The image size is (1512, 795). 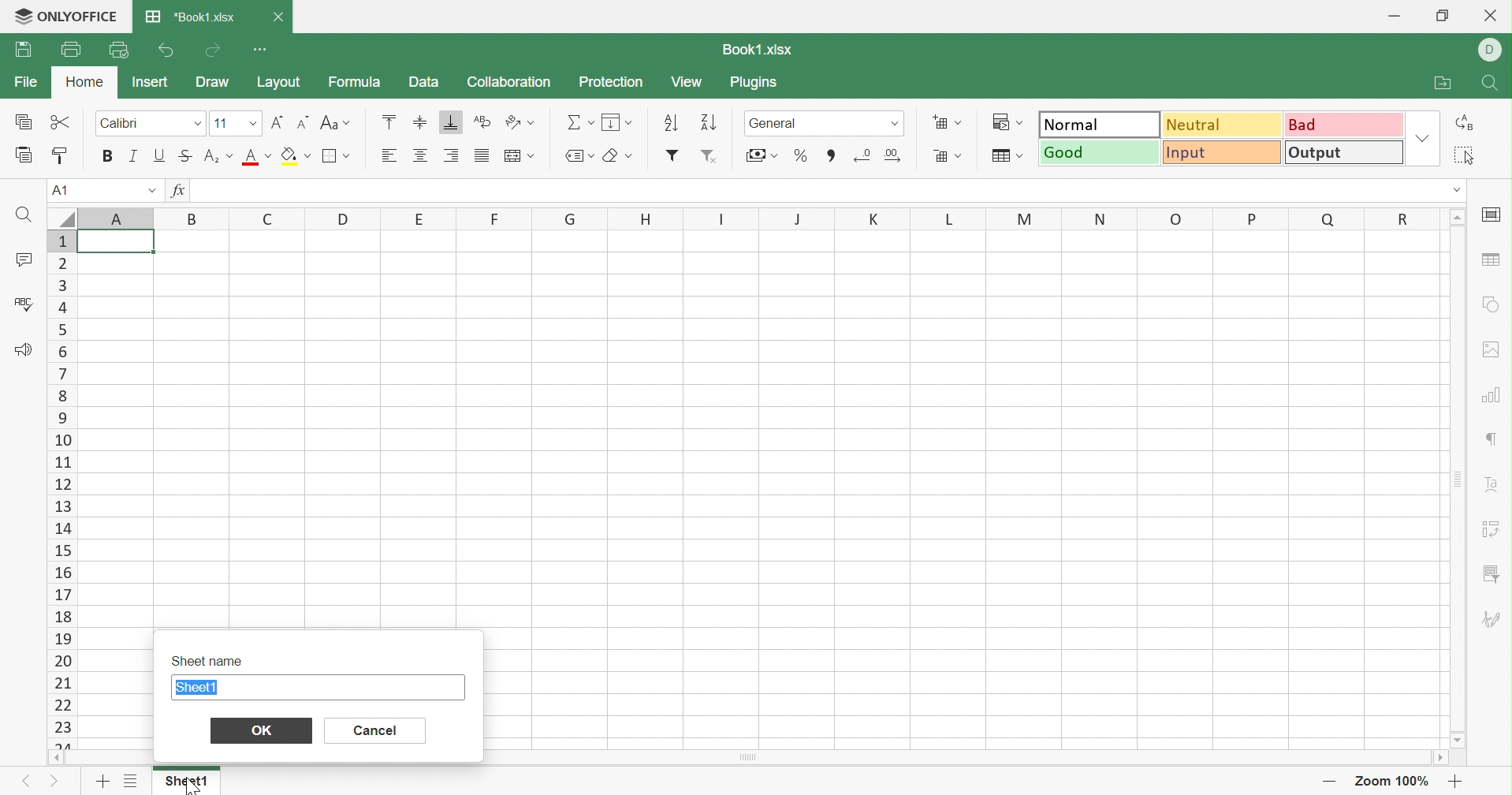 What do you see at coordinates (132, 121) in the screenshot?
I see `Calibri` at bounding box center [132, 121].